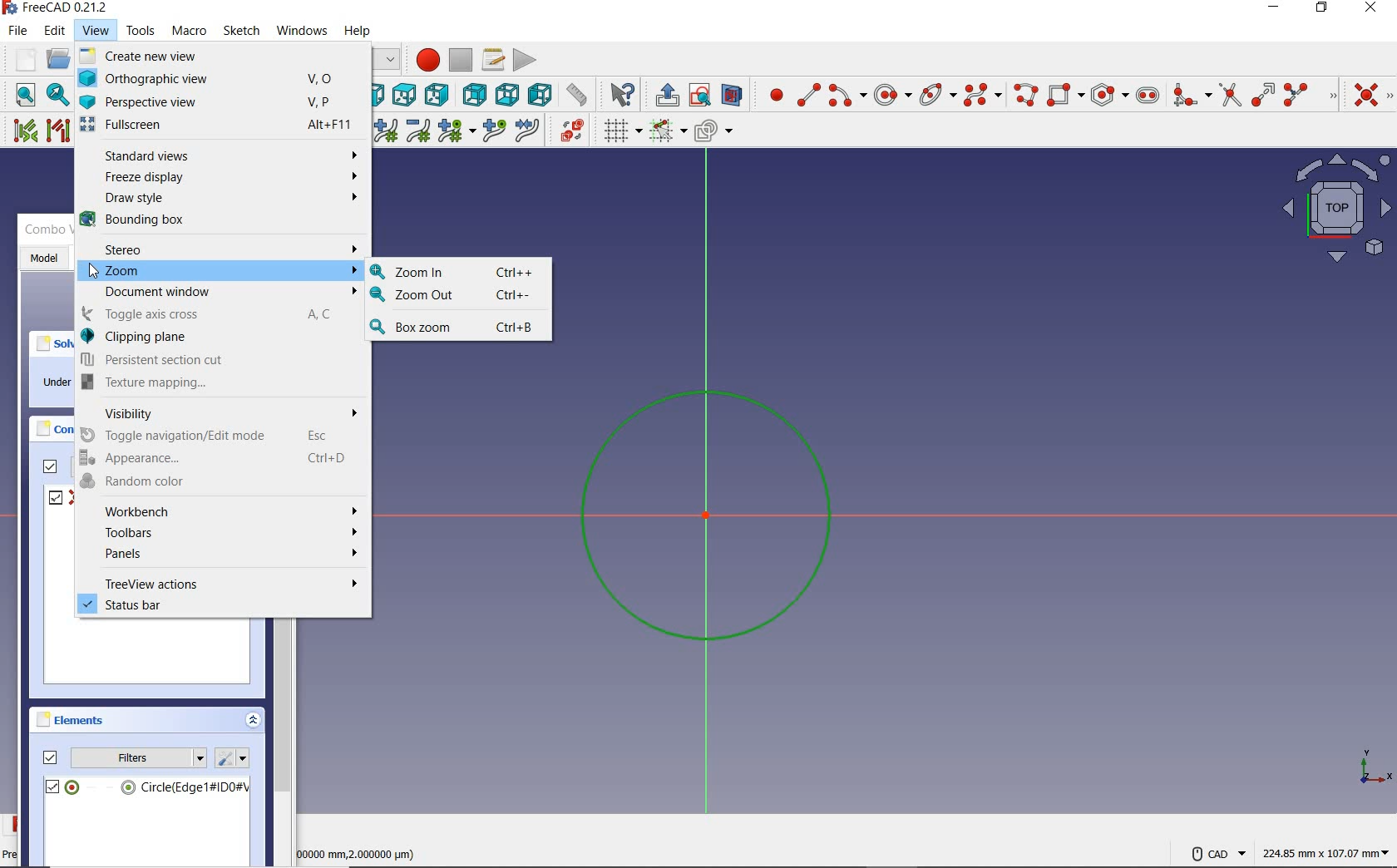 Image resolution: width=1397 pixels, height=868 pixels. What do you see at coordinates (771, 94) in the screenshot?
I see `create point` at bounding box center [771, 94].